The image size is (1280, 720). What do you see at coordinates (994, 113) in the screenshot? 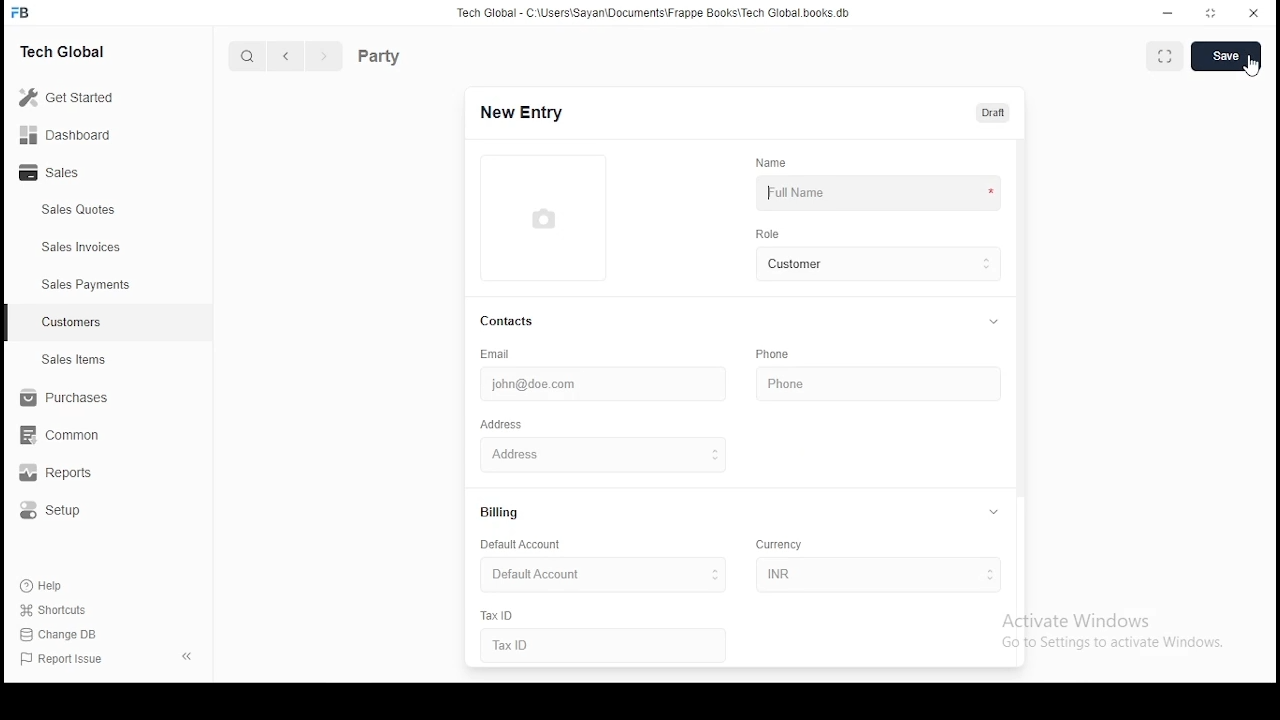
I see `draft` at bounding box center [994, 113].